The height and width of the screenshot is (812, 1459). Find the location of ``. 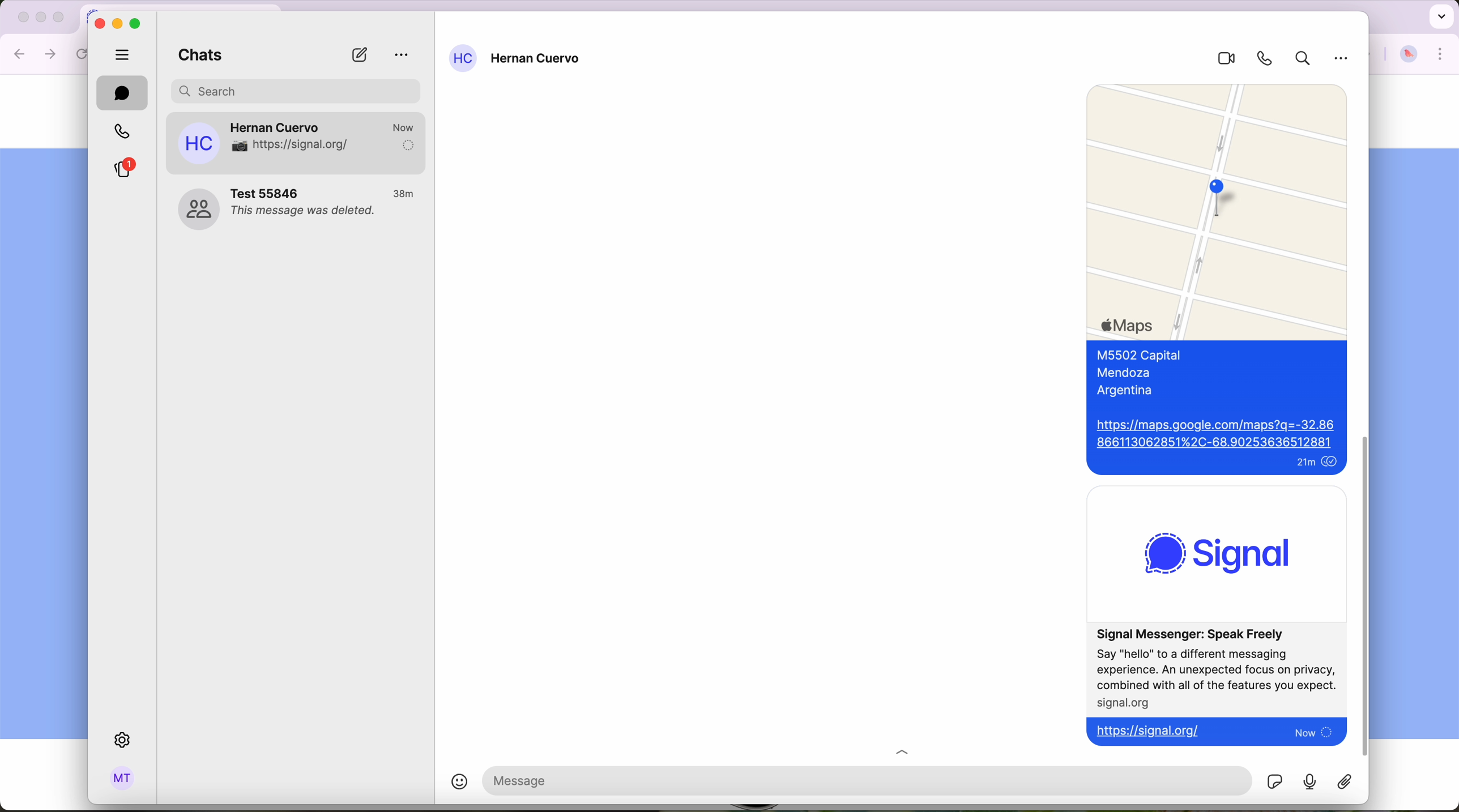

 is located at coordinates (1343, 61).